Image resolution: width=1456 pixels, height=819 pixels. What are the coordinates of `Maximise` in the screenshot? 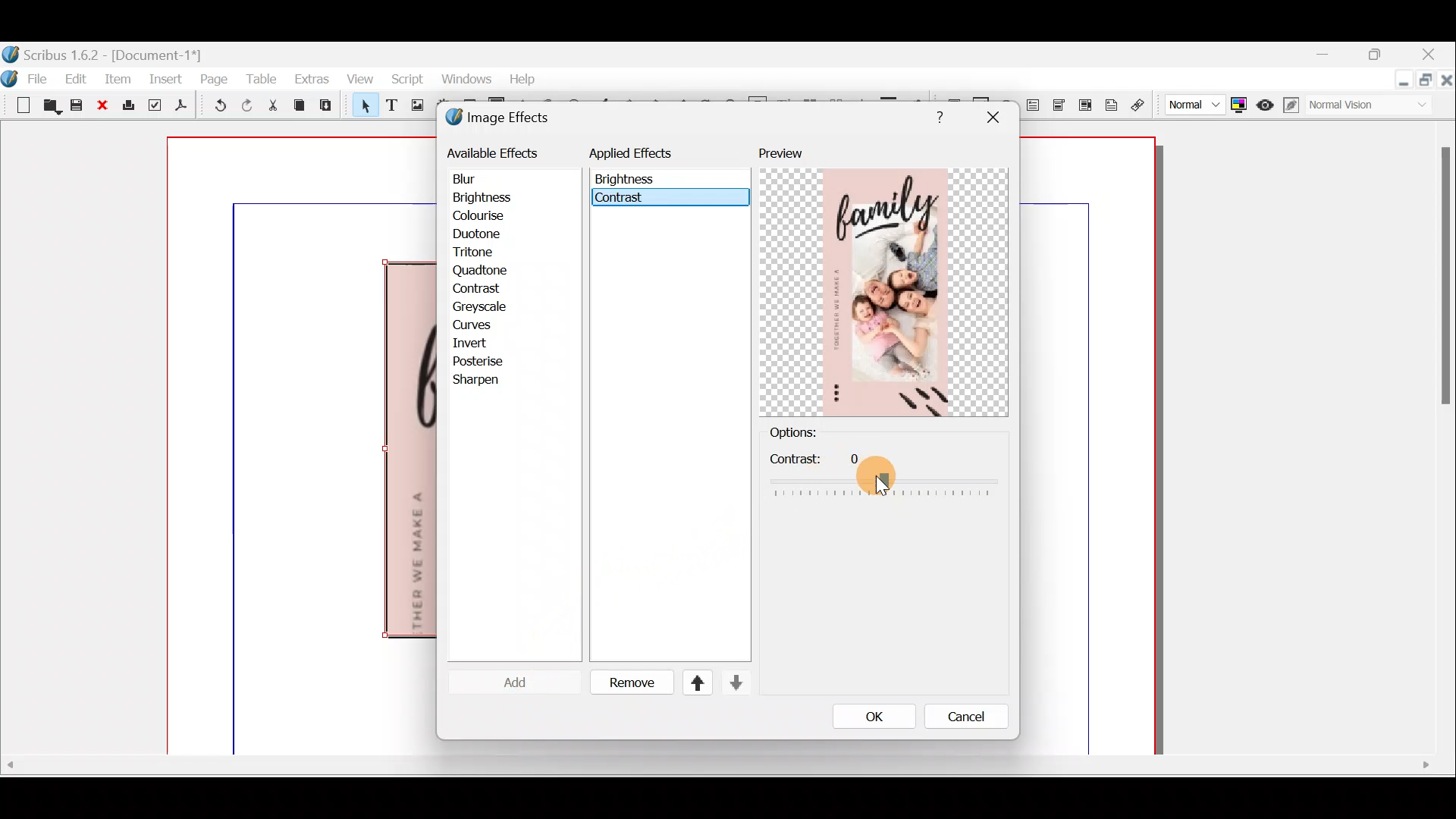 It's located at (1427, 82).